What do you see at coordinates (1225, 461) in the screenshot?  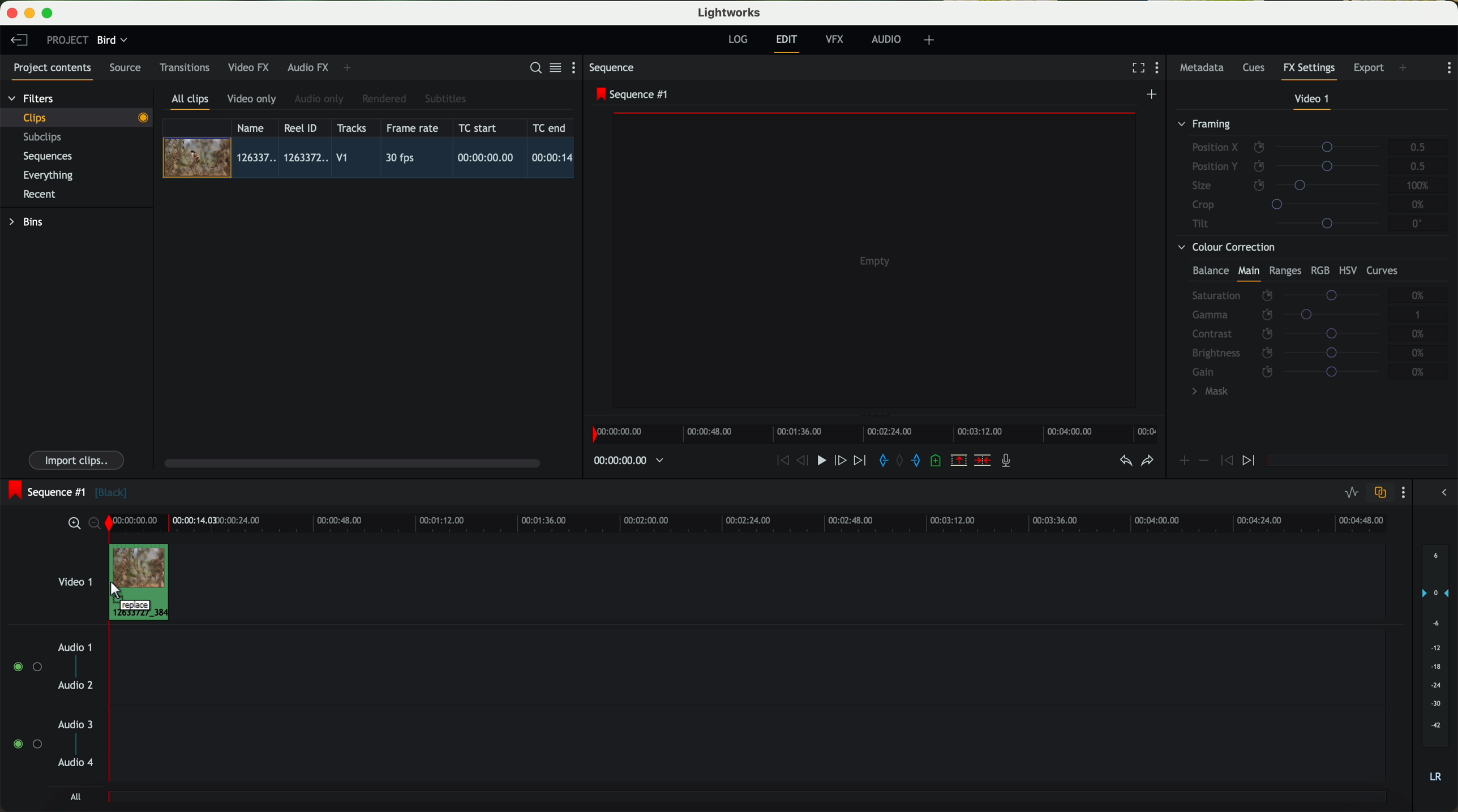 I see `icon` at bounding box center [1225, 461].